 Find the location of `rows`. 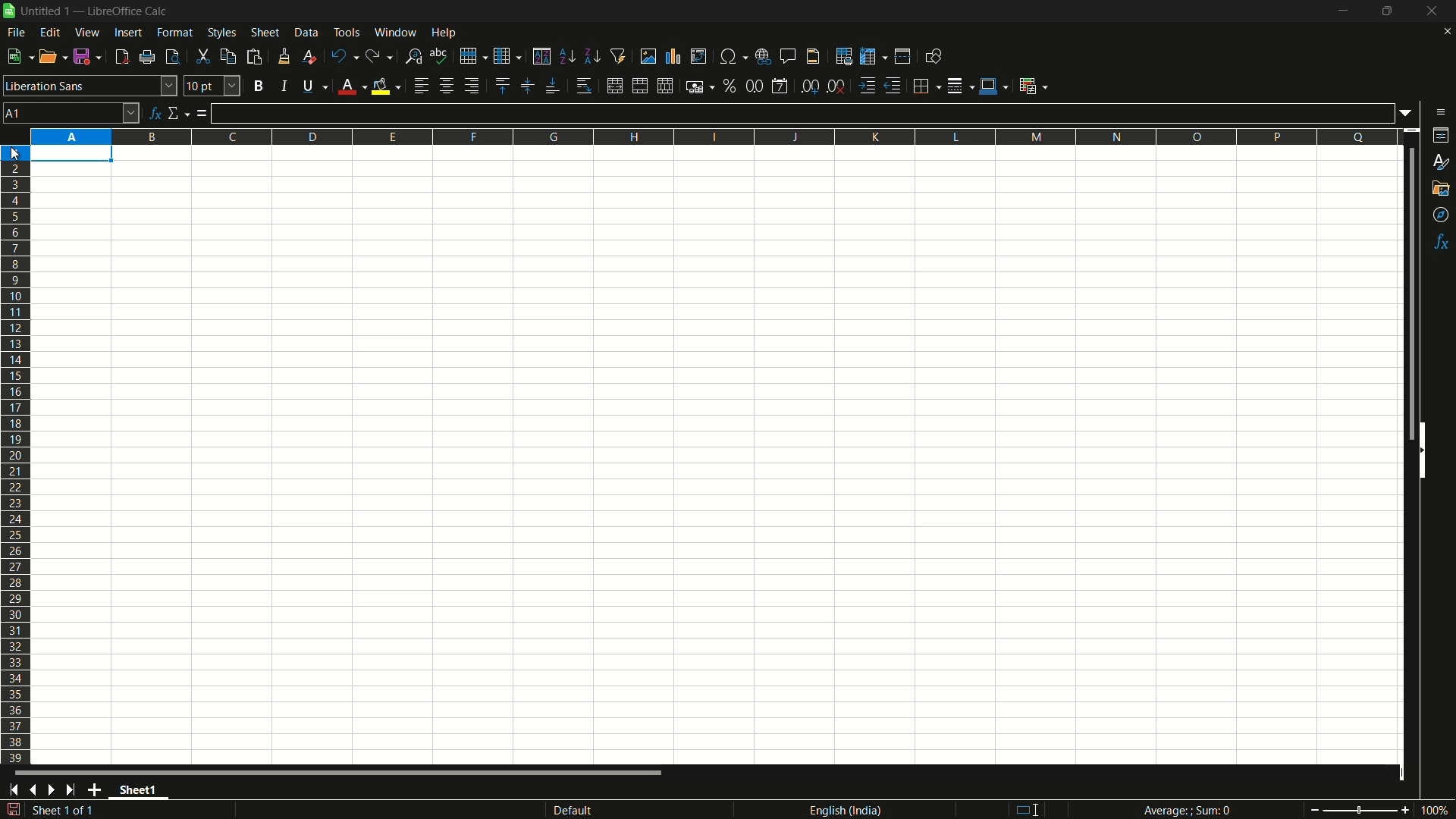

rows is located at coordinates (16, 454).